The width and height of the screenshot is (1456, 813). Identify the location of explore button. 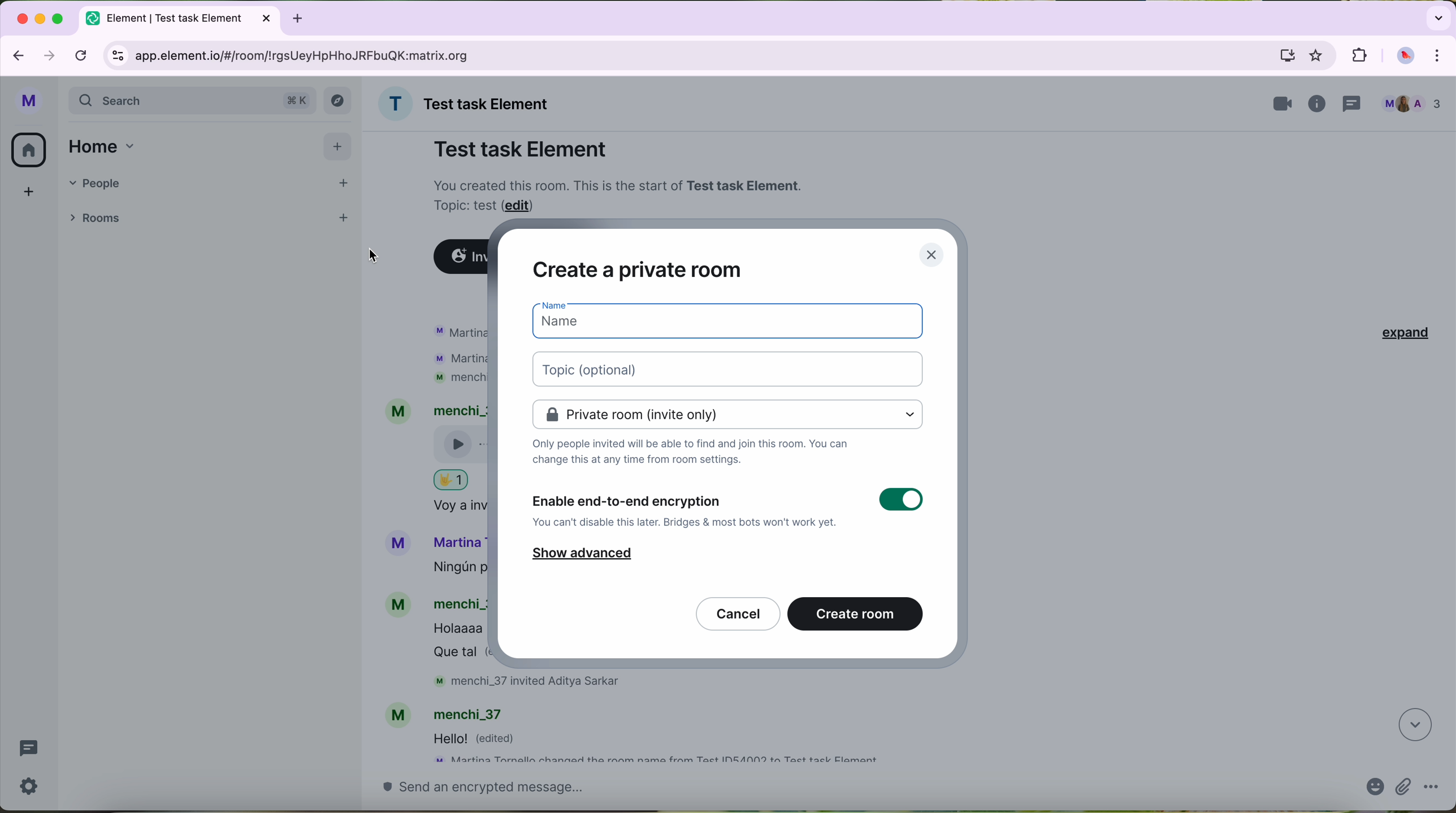
(339, 103).